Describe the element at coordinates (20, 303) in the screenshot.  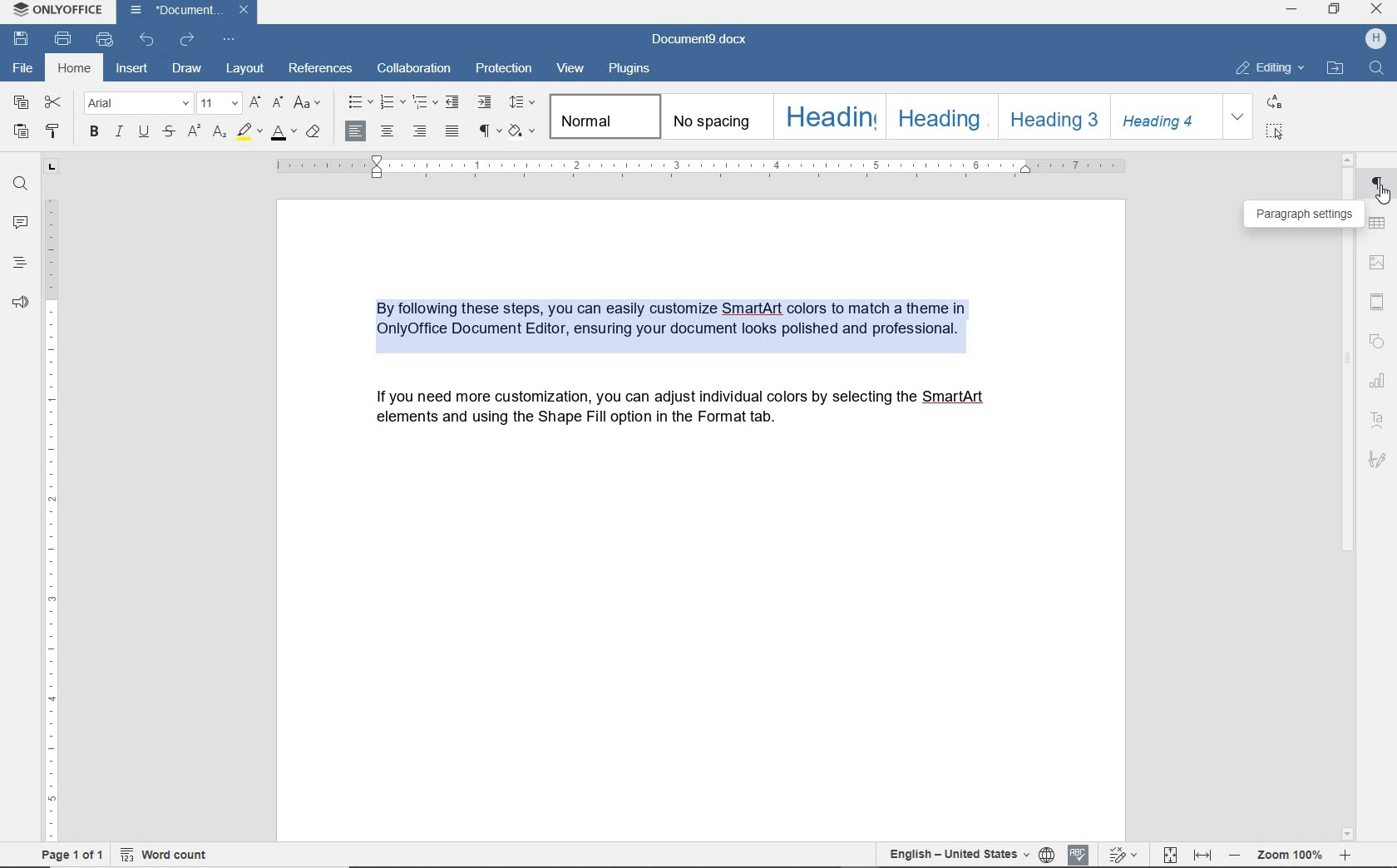
I see `feedback & support` at that location.